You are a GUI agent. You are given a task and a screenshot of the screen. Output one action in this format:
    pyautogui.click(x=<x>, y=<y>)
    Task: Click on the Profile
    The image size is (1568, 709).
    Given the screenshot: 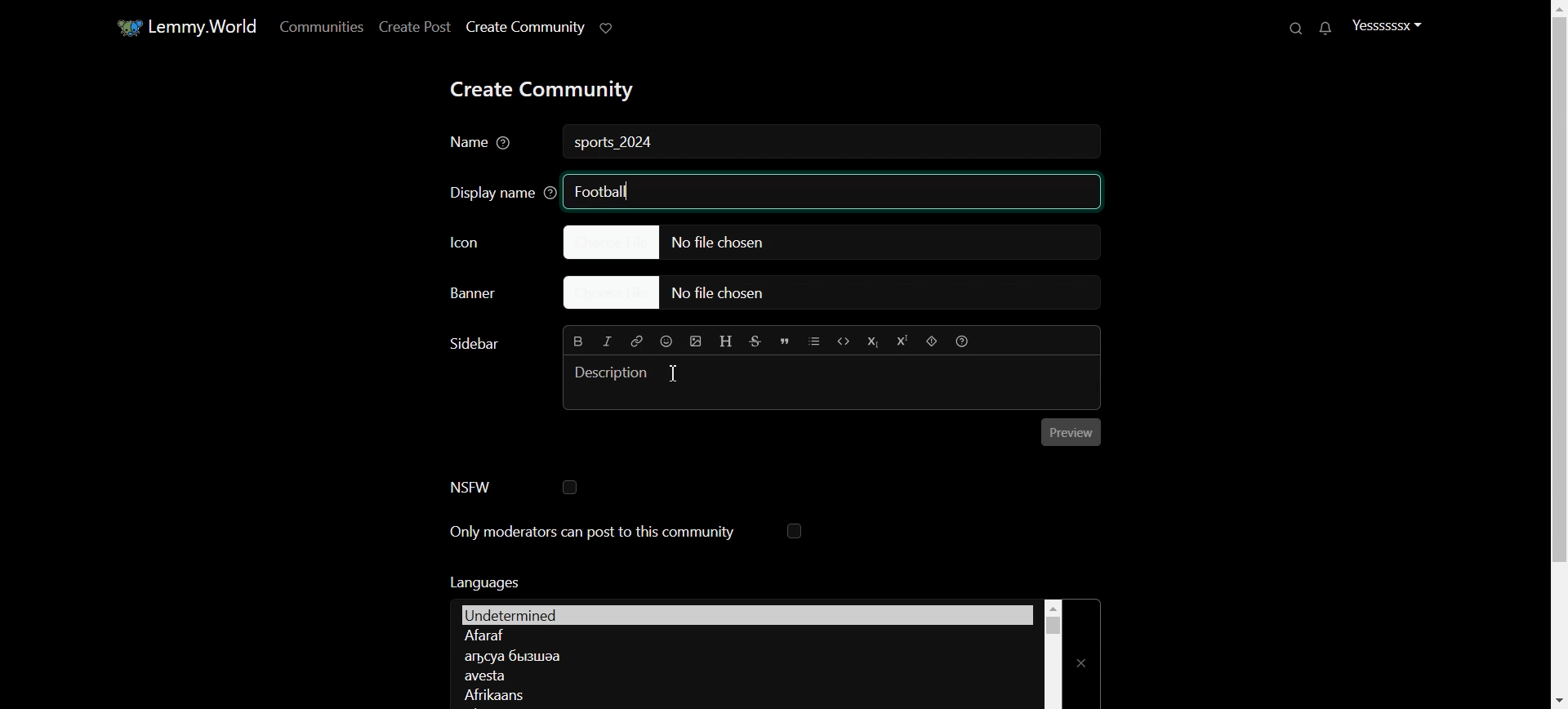 What is the action you would take?
    pyautogui.click(x=1387, y=25)
    